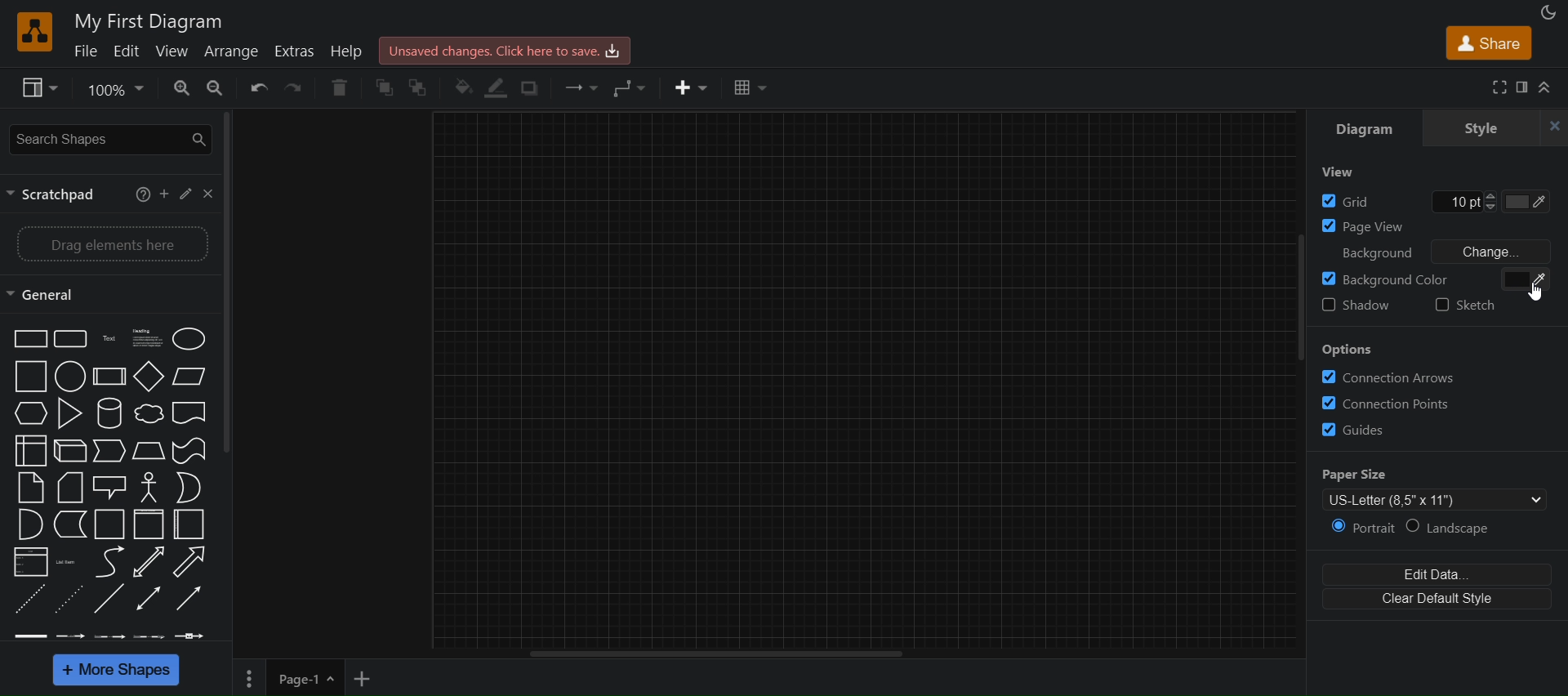  What do you see at coordinates (296, 88) in the screenshot?
I see `redo` at bounding box center [296, 88].